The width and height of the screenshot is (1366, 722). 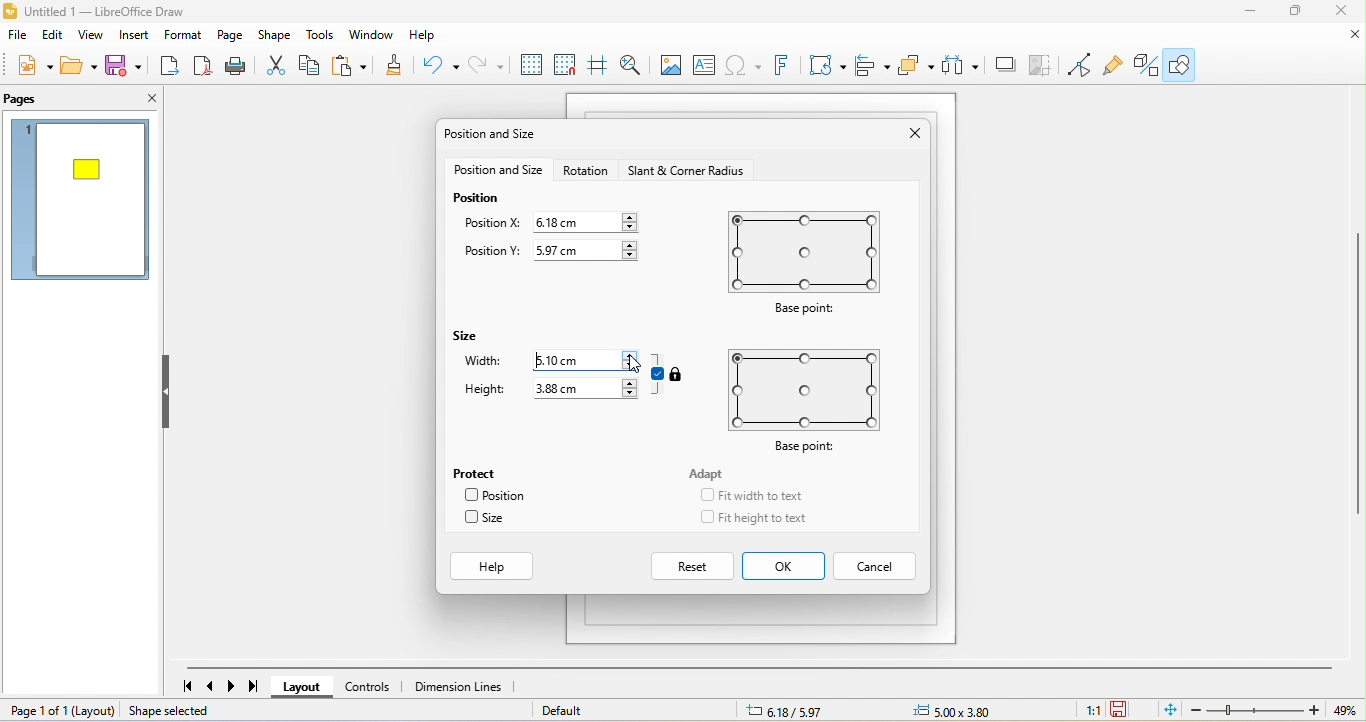 I want to click on view, so click(x=93, y=35).